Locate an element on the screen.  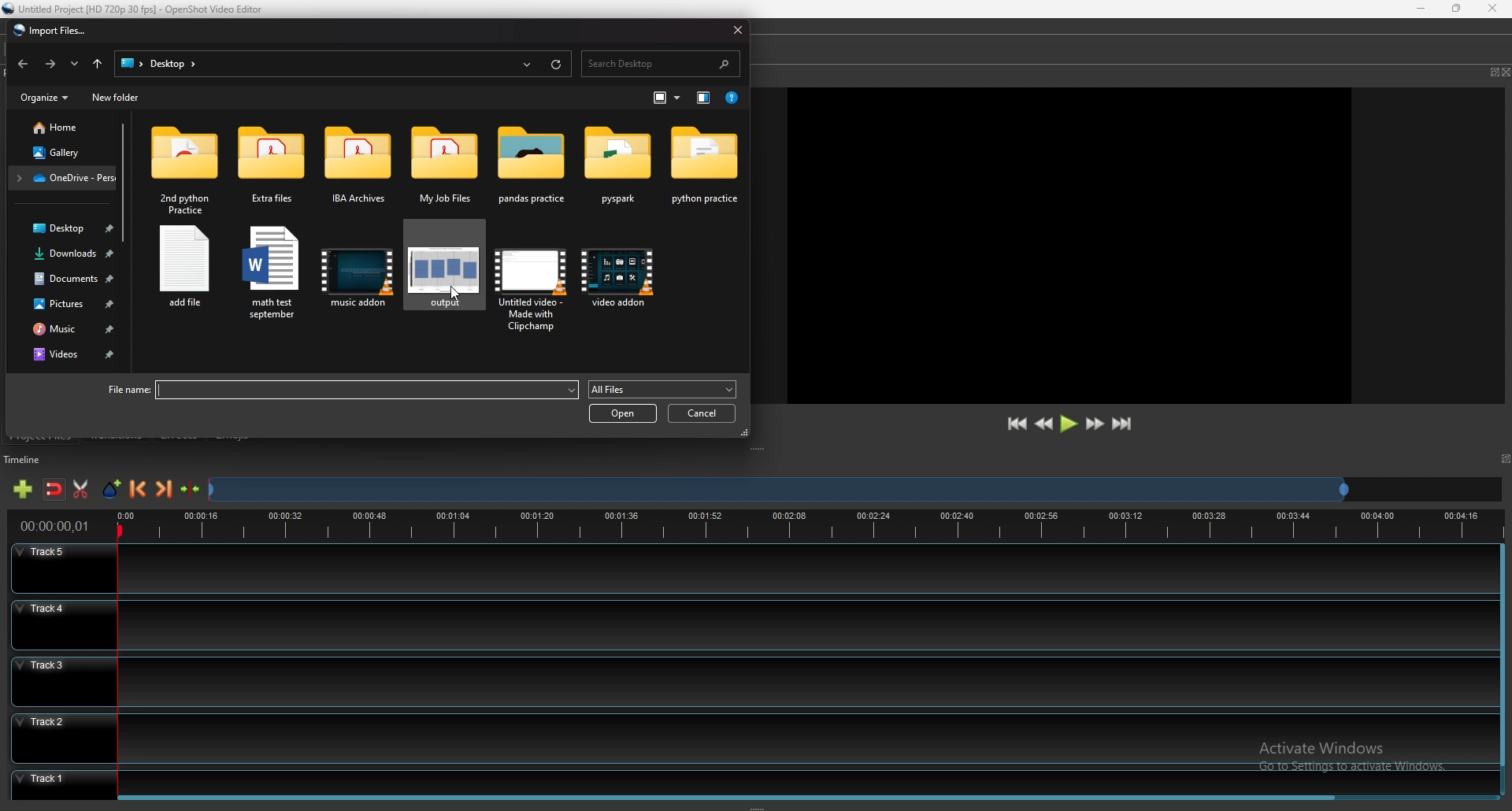
track 1 is located at coordinates (747, 780).